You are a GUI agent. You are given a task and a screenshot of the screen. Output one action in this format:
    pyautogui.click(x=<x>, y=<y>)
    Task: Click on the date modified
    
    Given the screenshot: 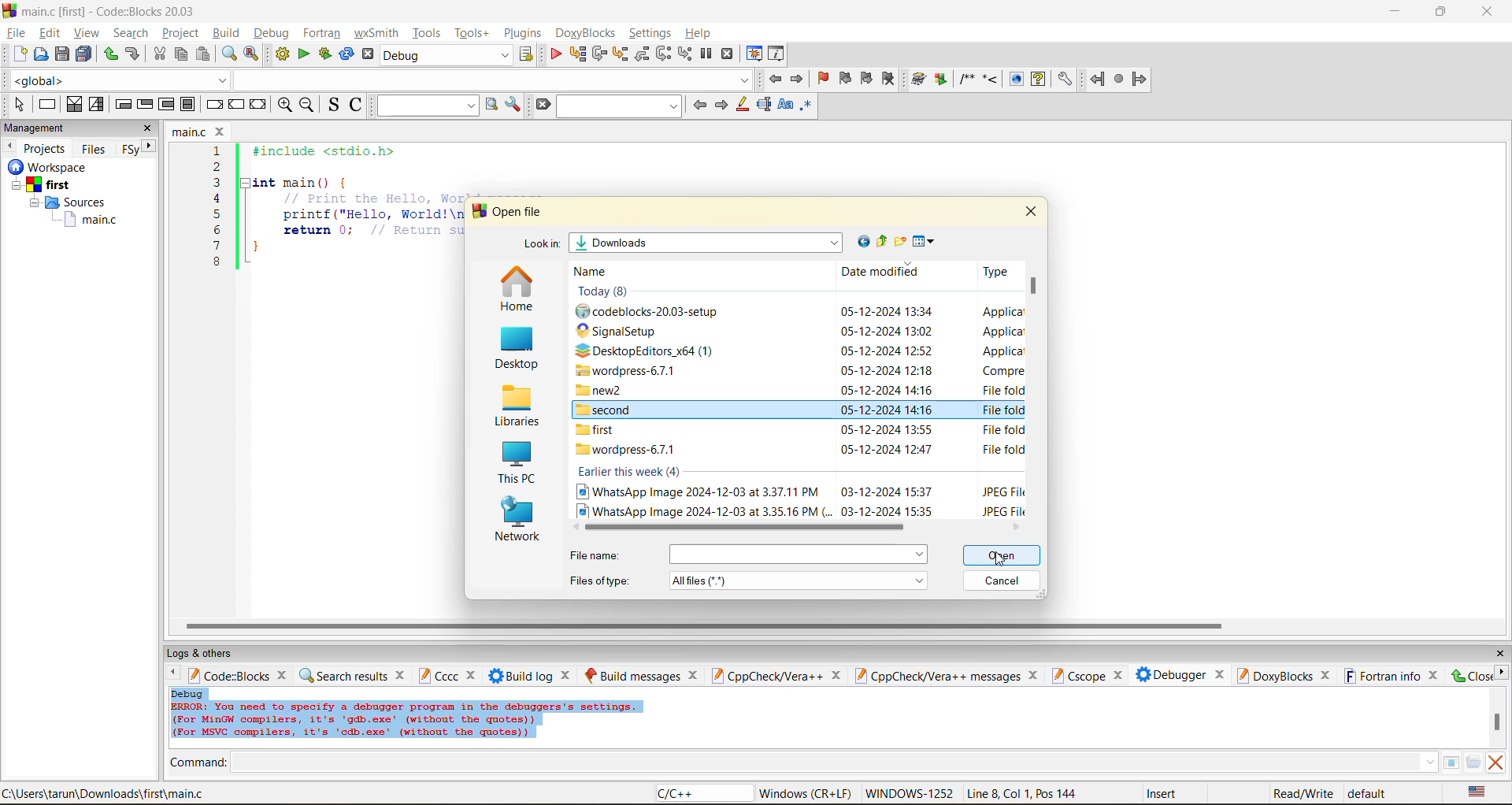 What is the action you would take?
    pyautogui.click(x=880, y=273)
    